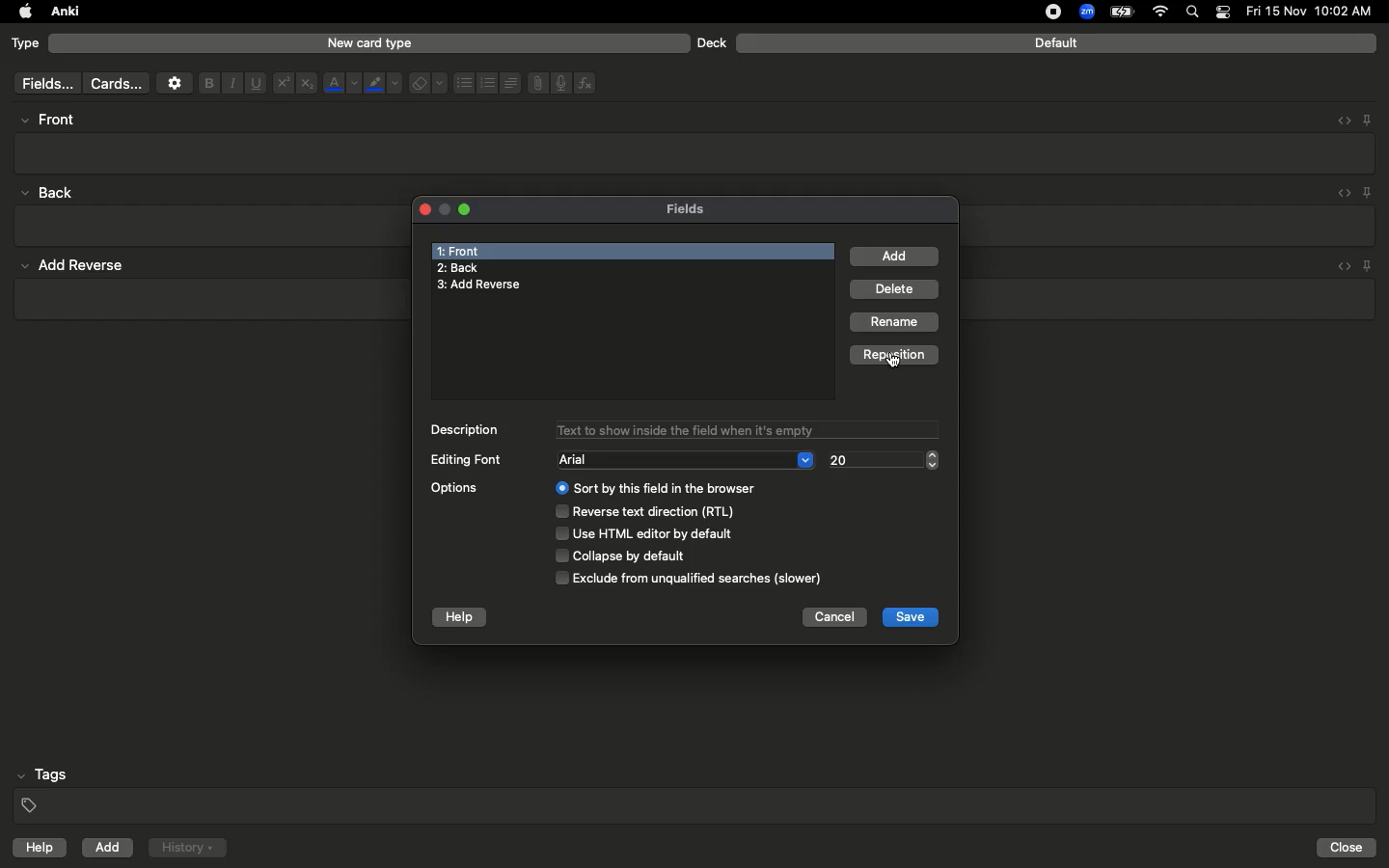 The width and height of the screenshot is (1389, 868). I want to click on back, so click(52, 192).